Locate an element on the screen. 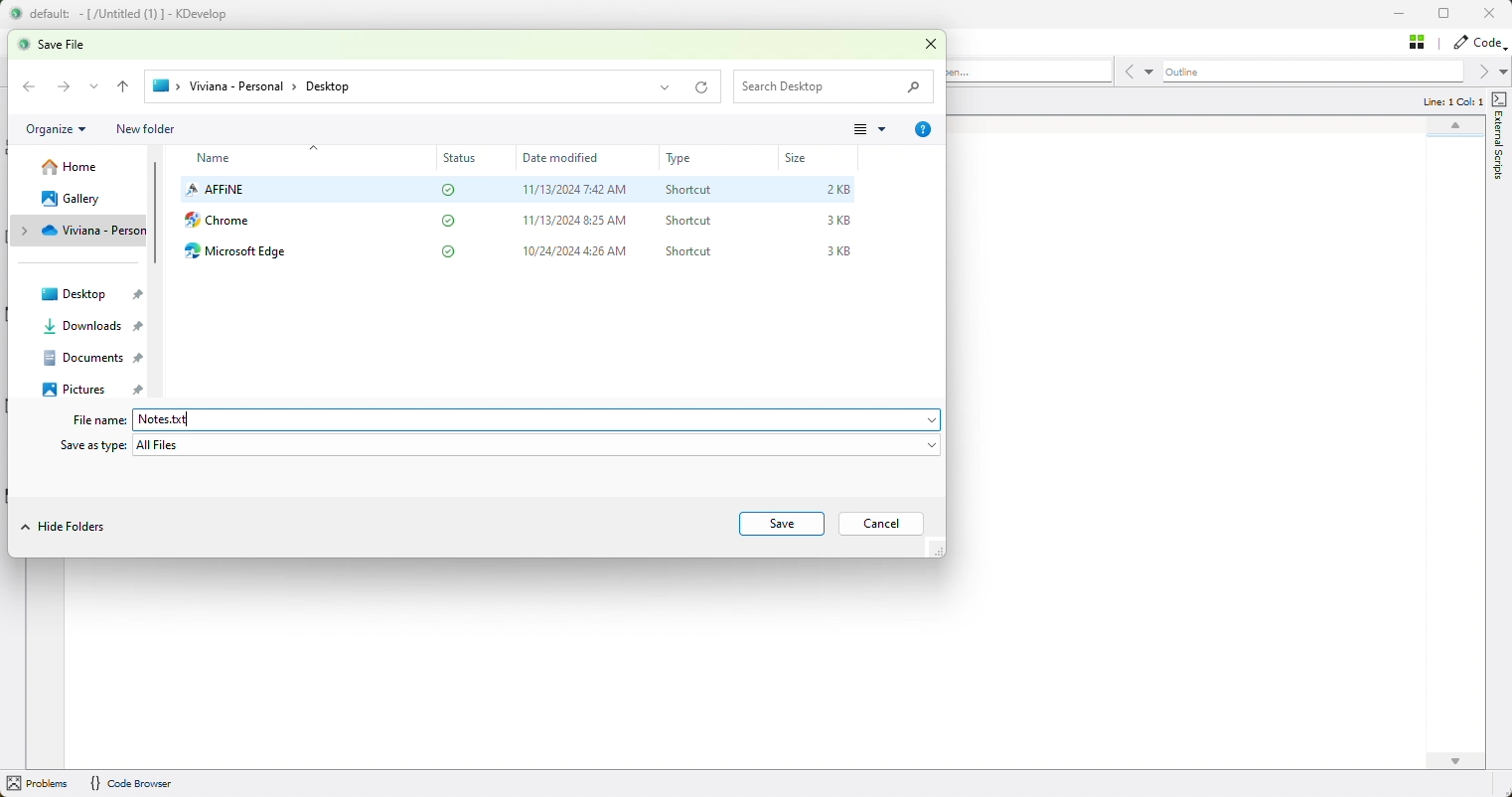 The width and height of the screenshot is (1512, 797). restore is located at coordinates (1450, 15).